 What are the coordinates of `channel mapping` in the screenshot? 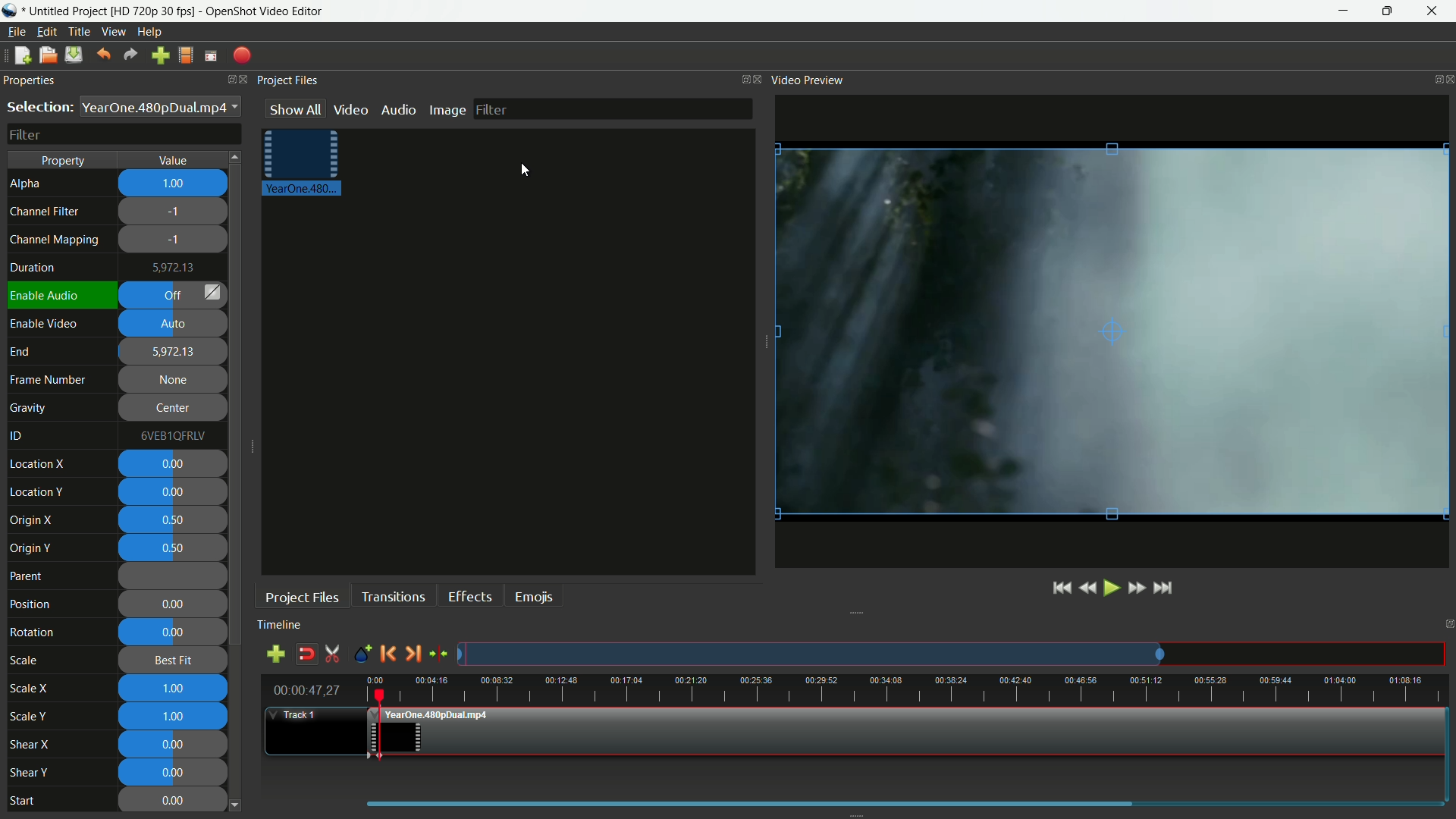 It's located at (55, 240).